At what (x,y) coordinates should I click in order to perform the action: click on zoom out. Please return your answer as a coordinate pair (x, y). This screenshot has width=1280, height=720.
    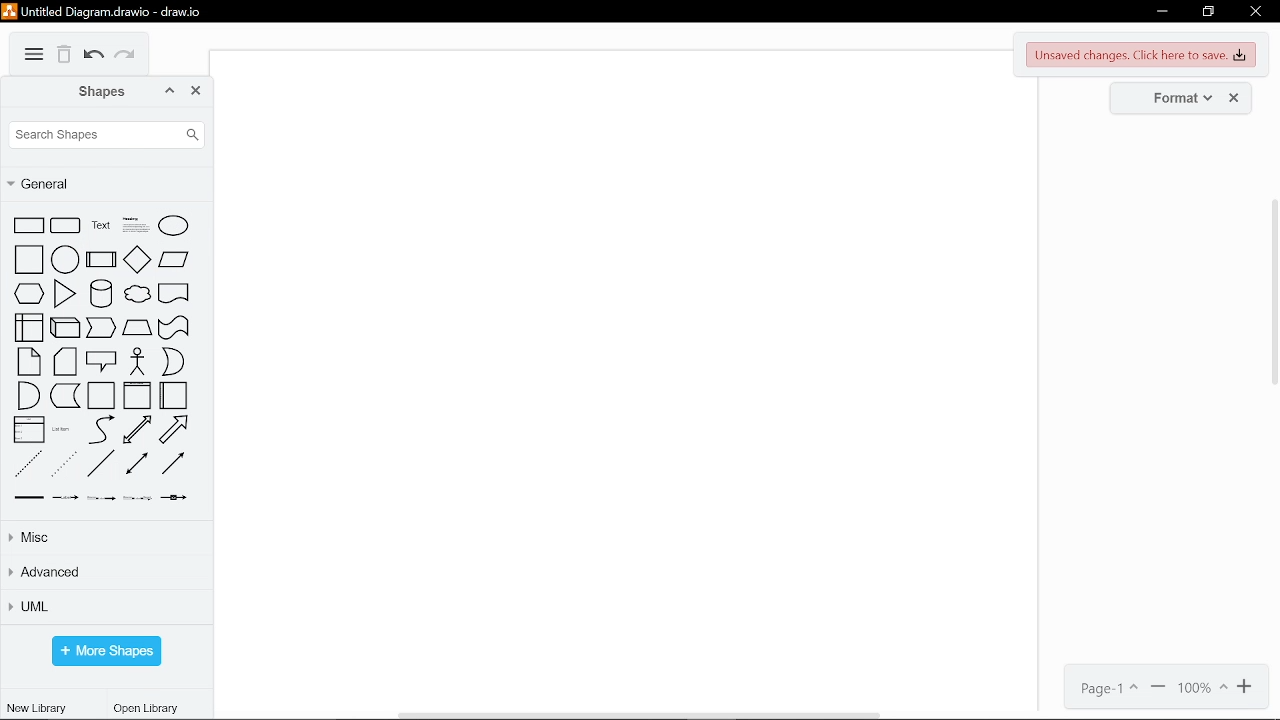
    Looking at the image, I should click on (1159, 688).